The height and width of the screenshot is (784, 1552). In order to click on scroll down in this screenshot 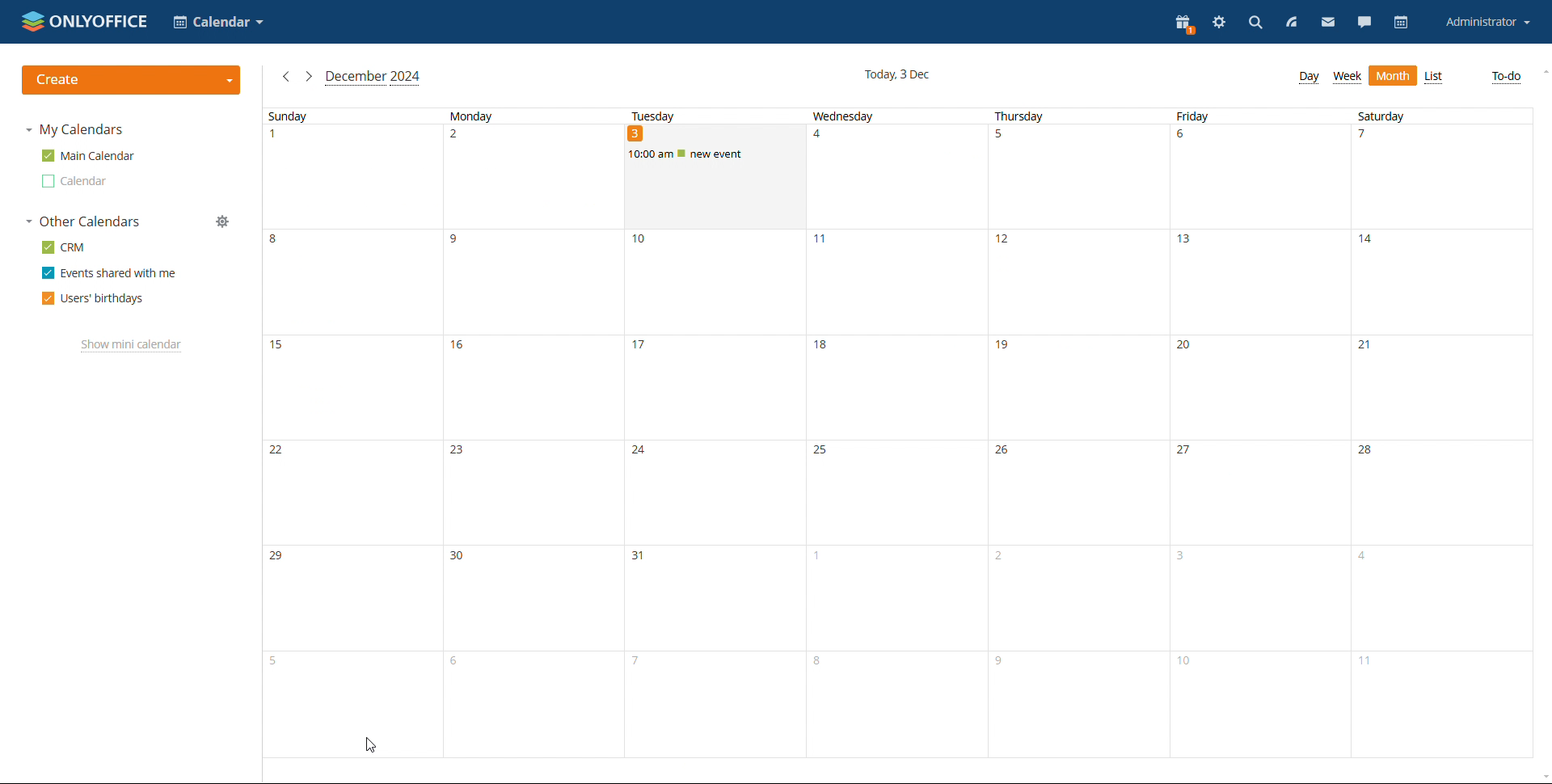, I will do `click(1542, 778)`.